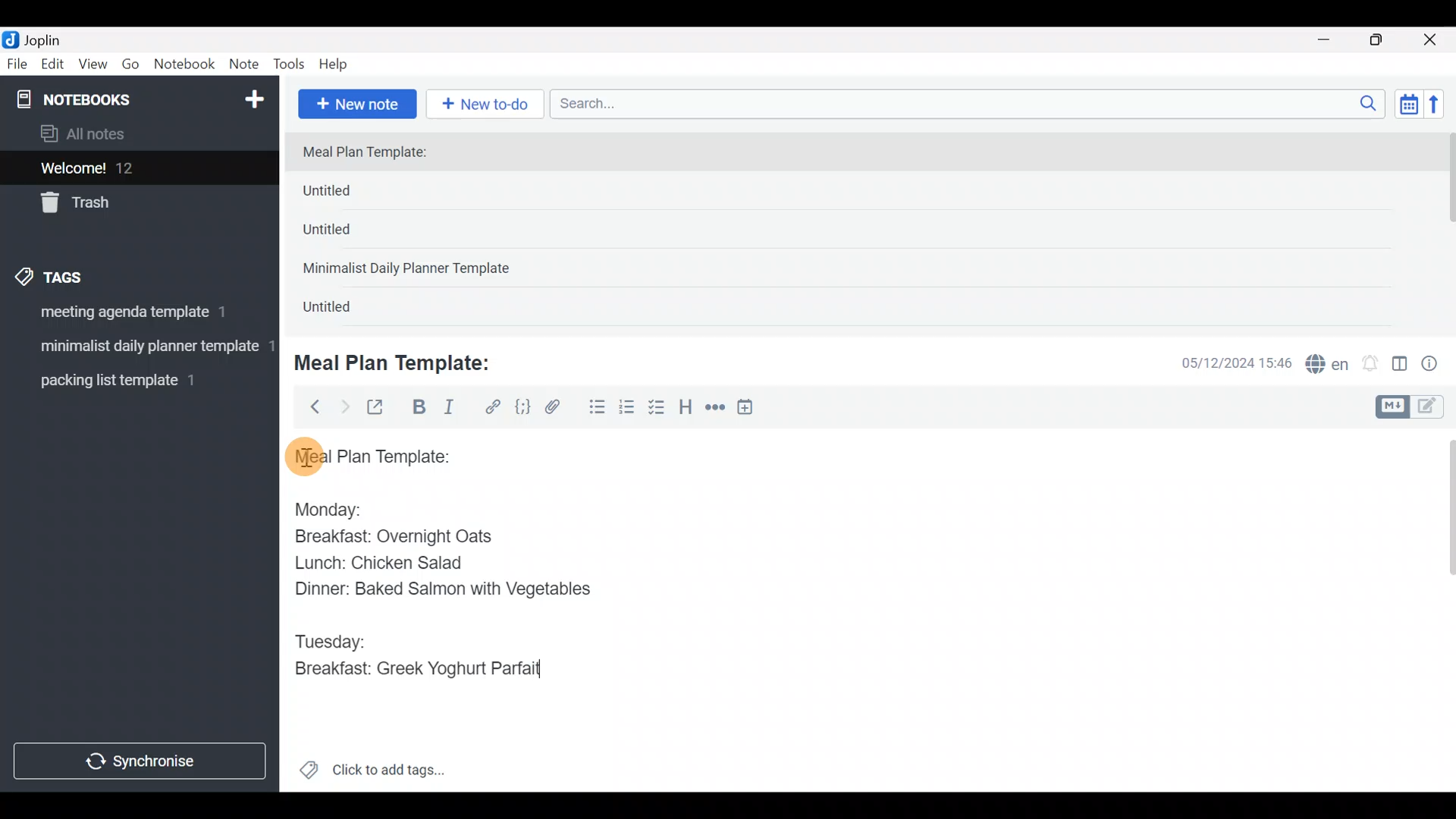 Image resolution: width=1456 pixels, height=819 pixels. Describe the element at coordinates (136, 135) in the screenshot. I see `All notes` at that location.